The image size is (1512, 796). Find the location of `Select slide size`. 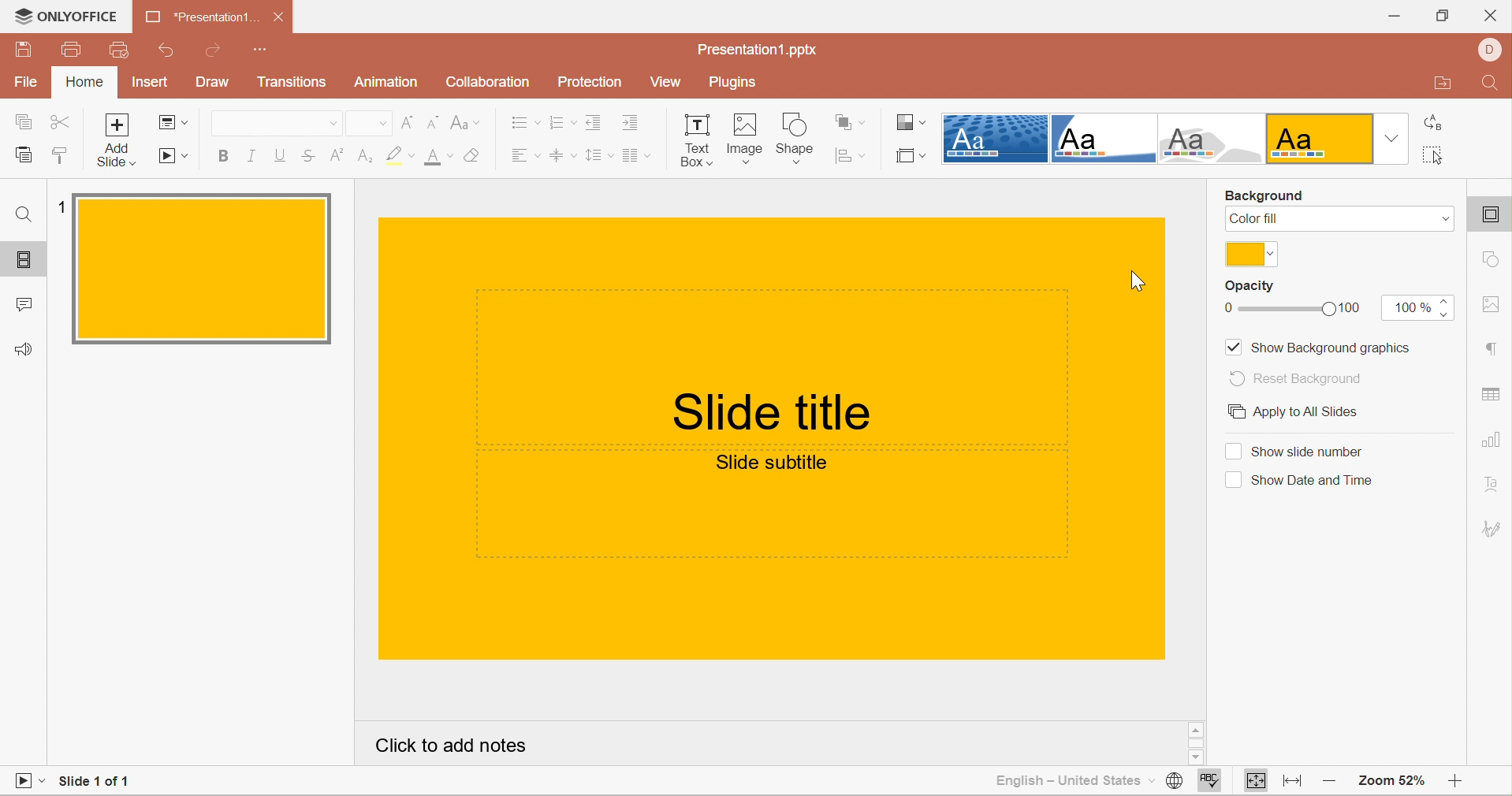

Select slide size is located at coordinates (911, 156).